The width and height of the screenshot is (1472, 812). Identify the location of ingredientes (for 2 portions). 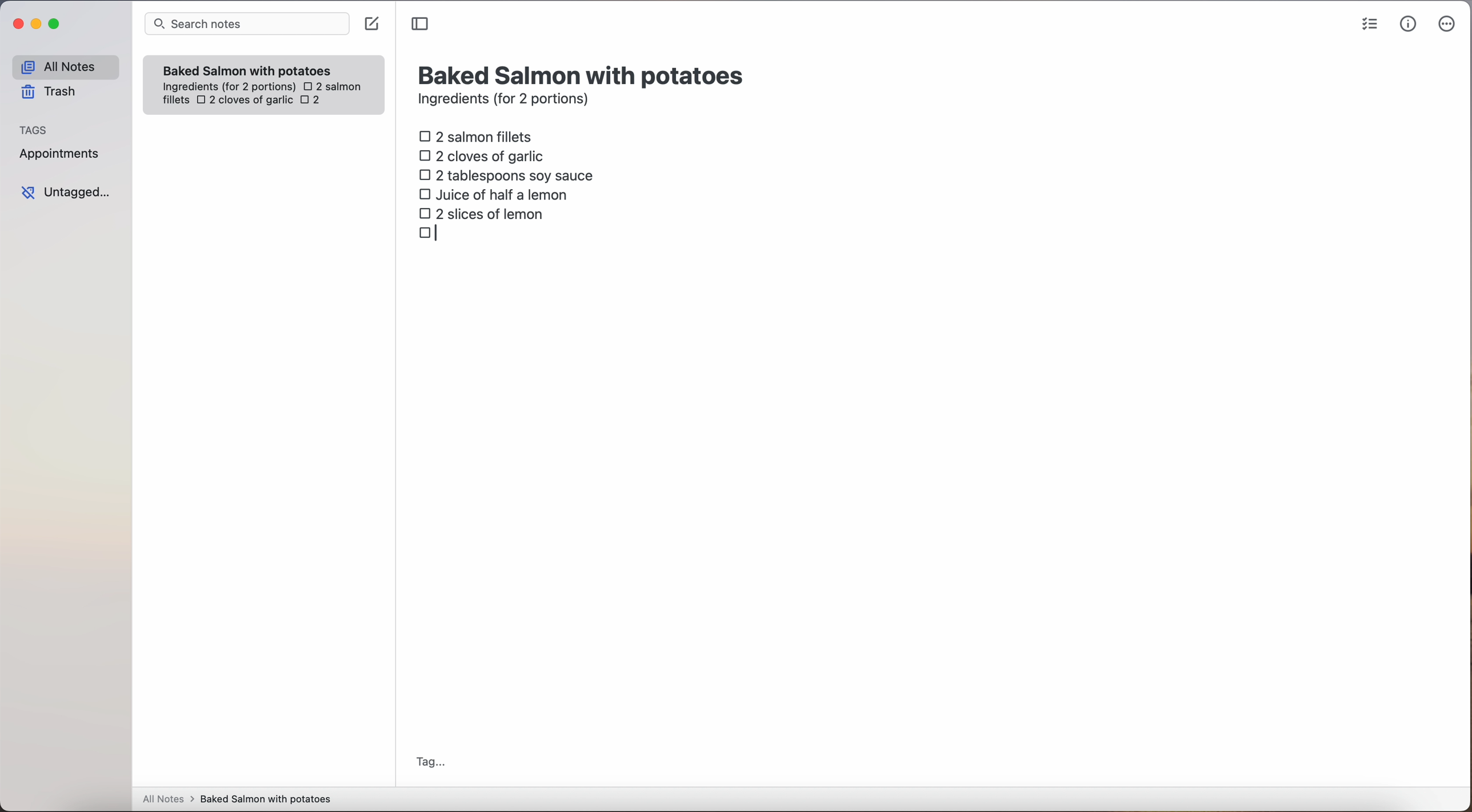
(227, 87).